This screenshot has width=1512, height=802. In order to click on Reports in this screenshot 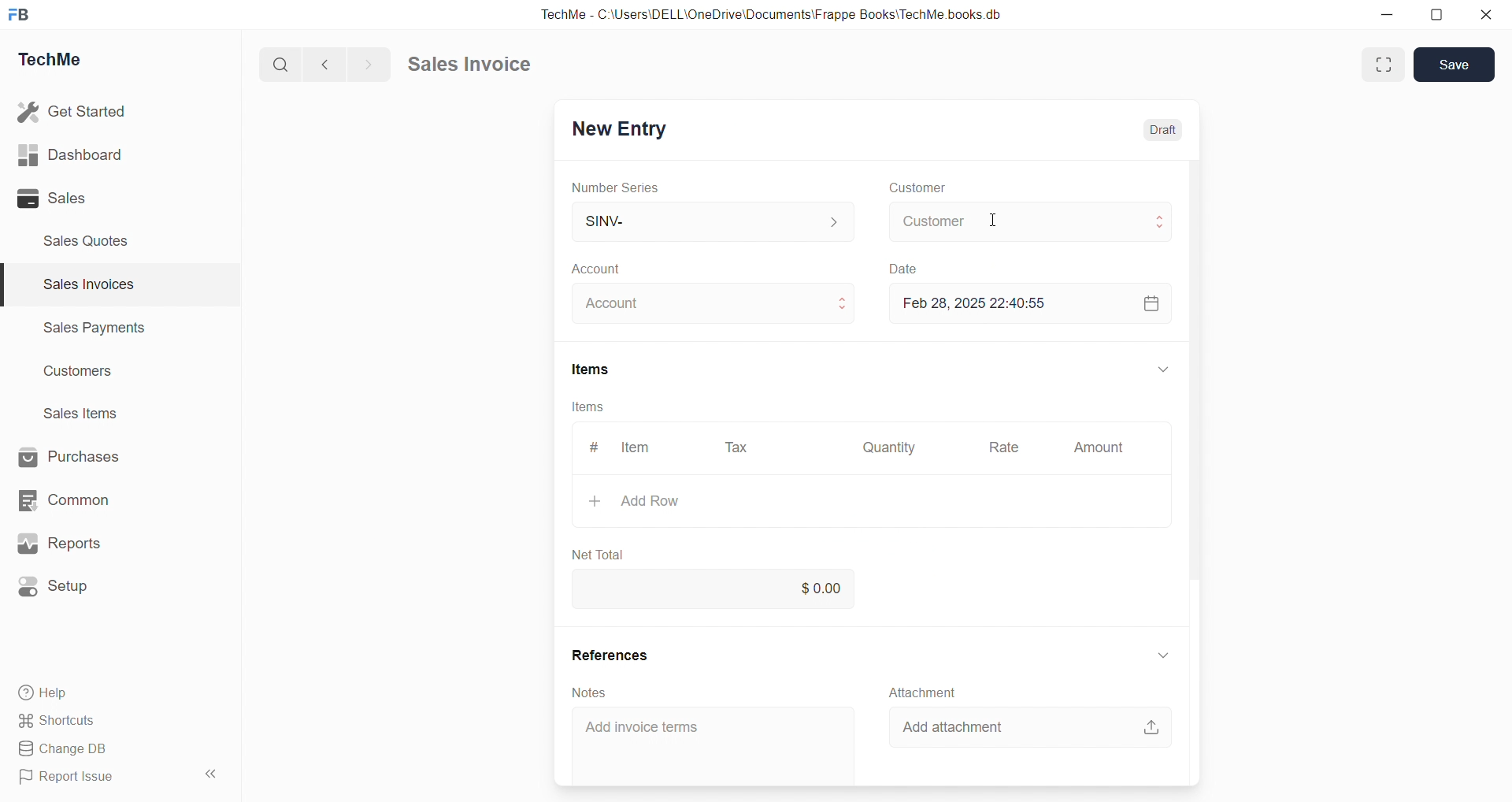, I will do `click(59, 543)`.